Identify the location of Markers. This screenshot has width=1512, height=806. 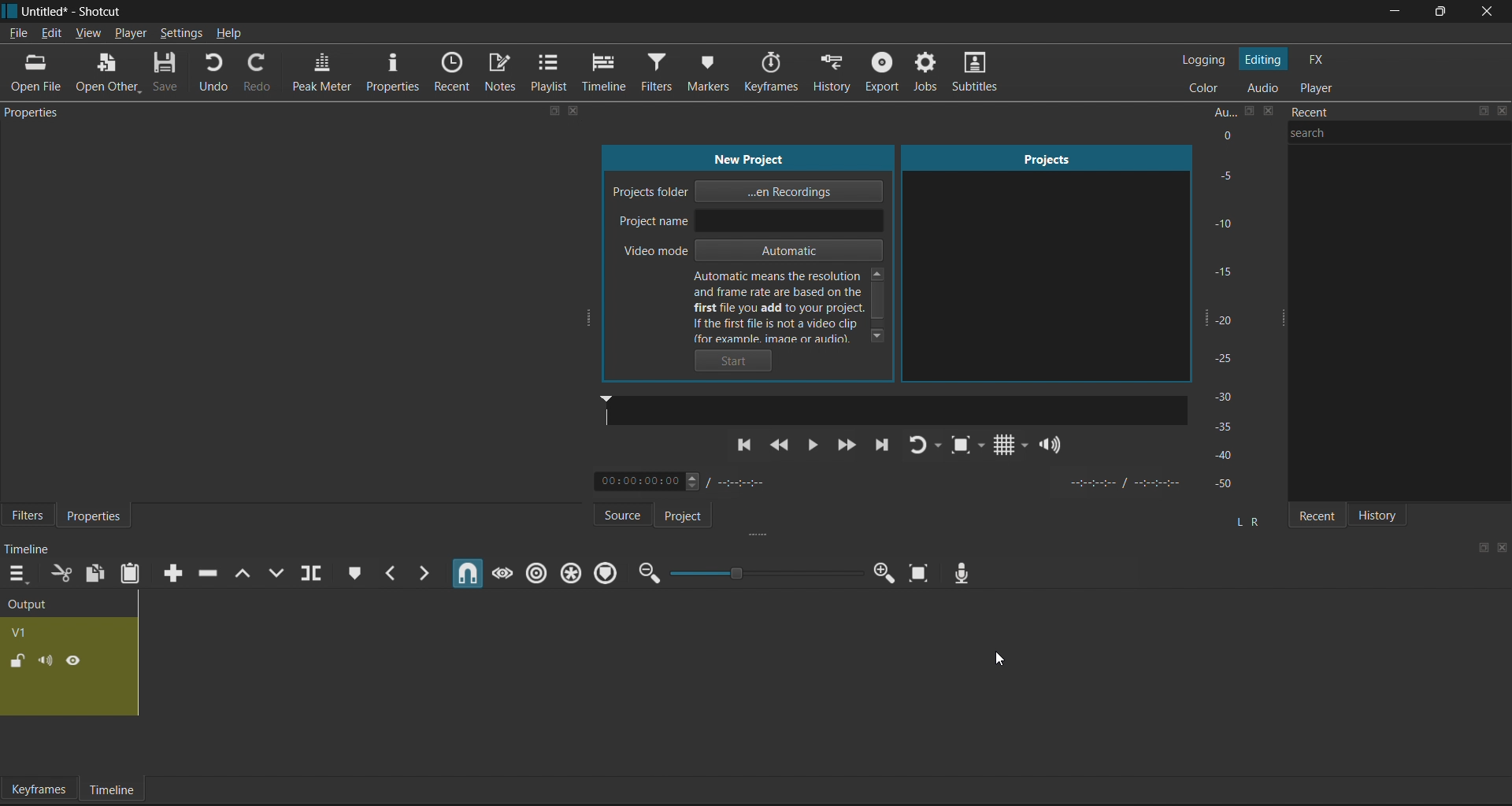
(718, 69).